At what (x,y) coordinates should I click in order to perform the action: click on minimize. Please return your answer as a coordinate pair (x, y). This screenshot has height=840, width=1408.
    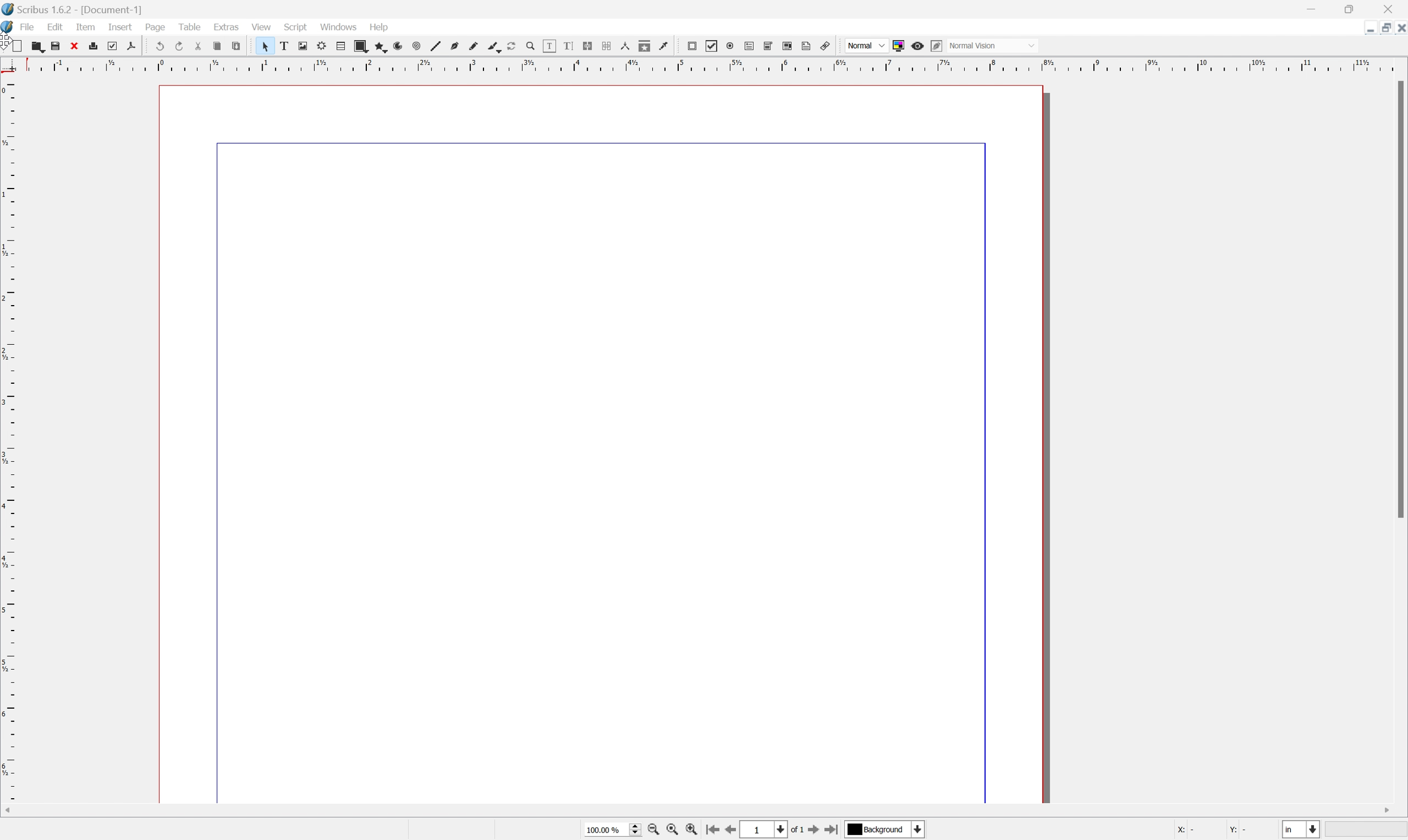
    Looking at the image, I should click on (1370, 28).